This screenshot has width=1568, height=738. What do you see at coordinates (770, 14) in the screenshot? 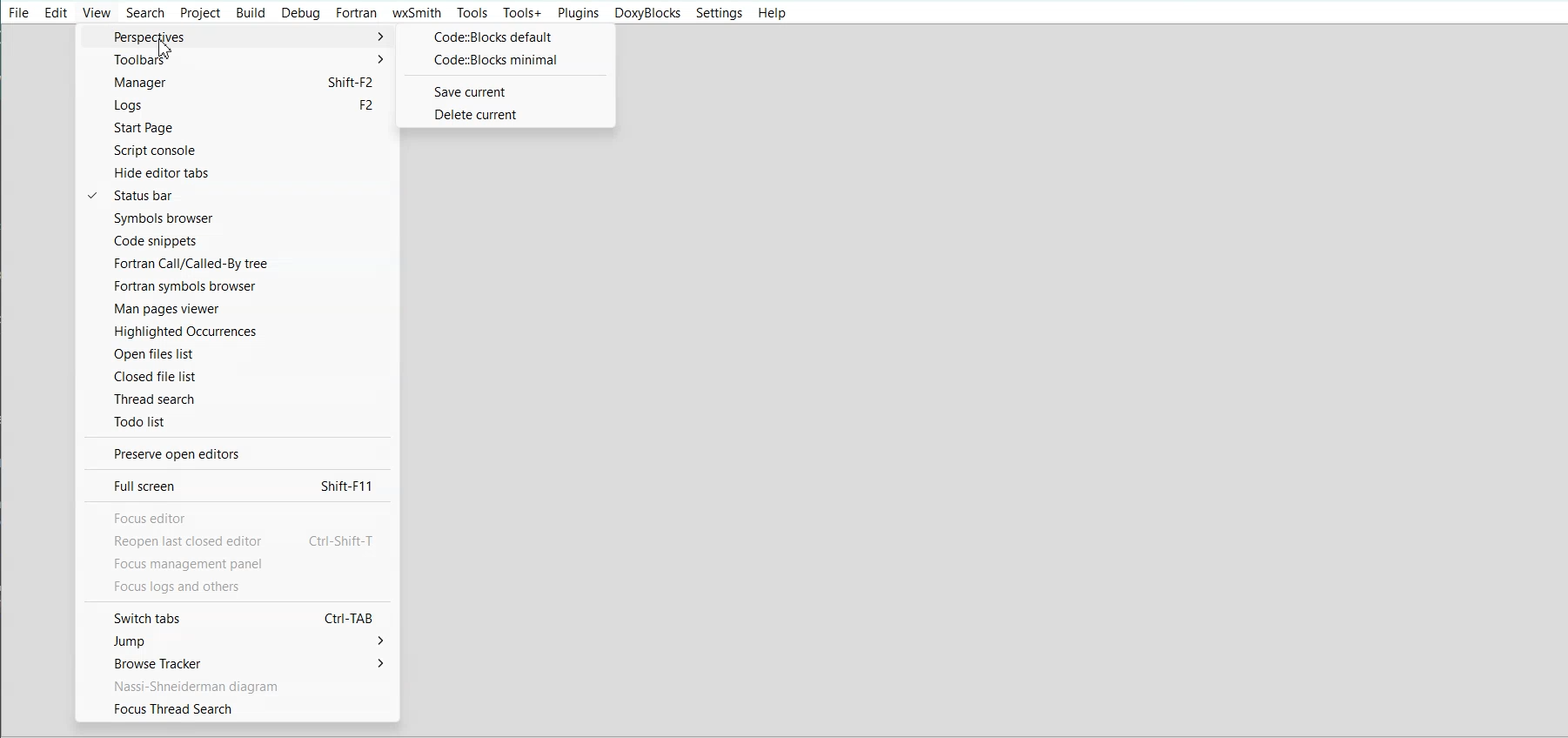
I see `Help` at bounding box center [770, 14].